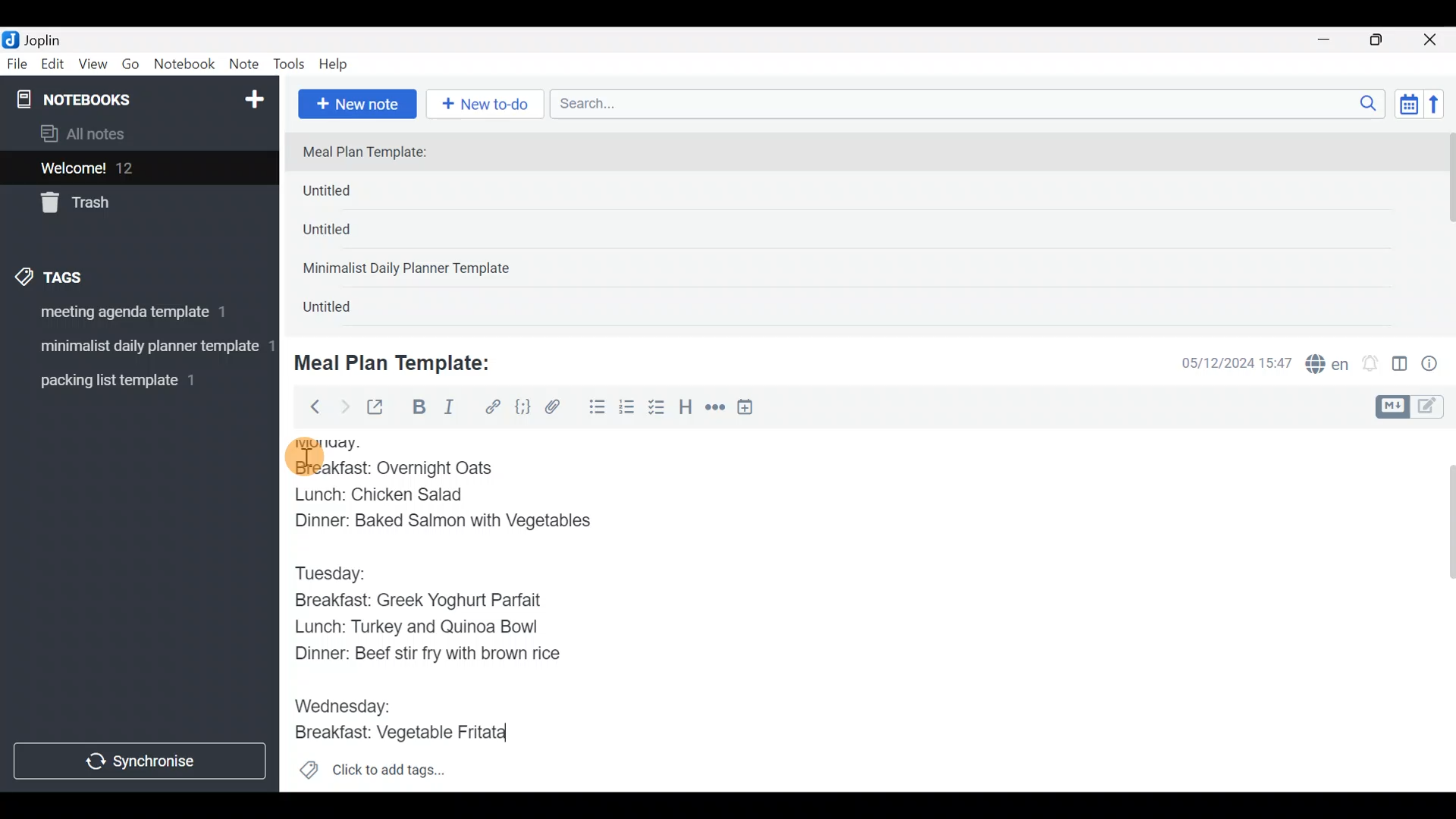 Image resolution: width=1456 pixels, height=819 pixels. What do you see at coordinates (519, 733) in the screenshot?
I see `text Cursor` at bounding box center [519, 733].